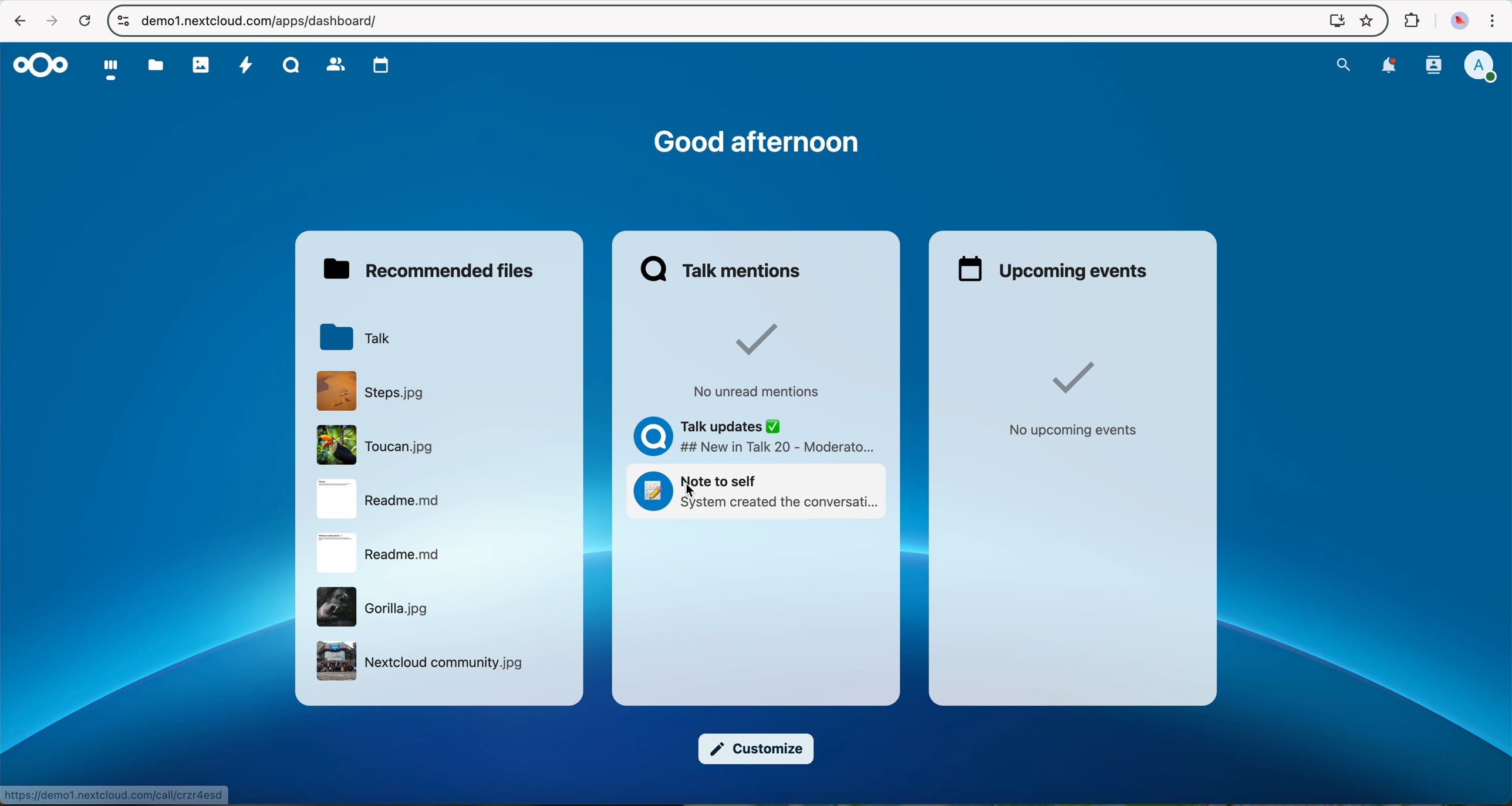 The height and width of the screenshot is (806, 1512). What do you see at coordinates (51, 22) in the screenshot?
I see `navigate foward` at bounding box center [51, 22].